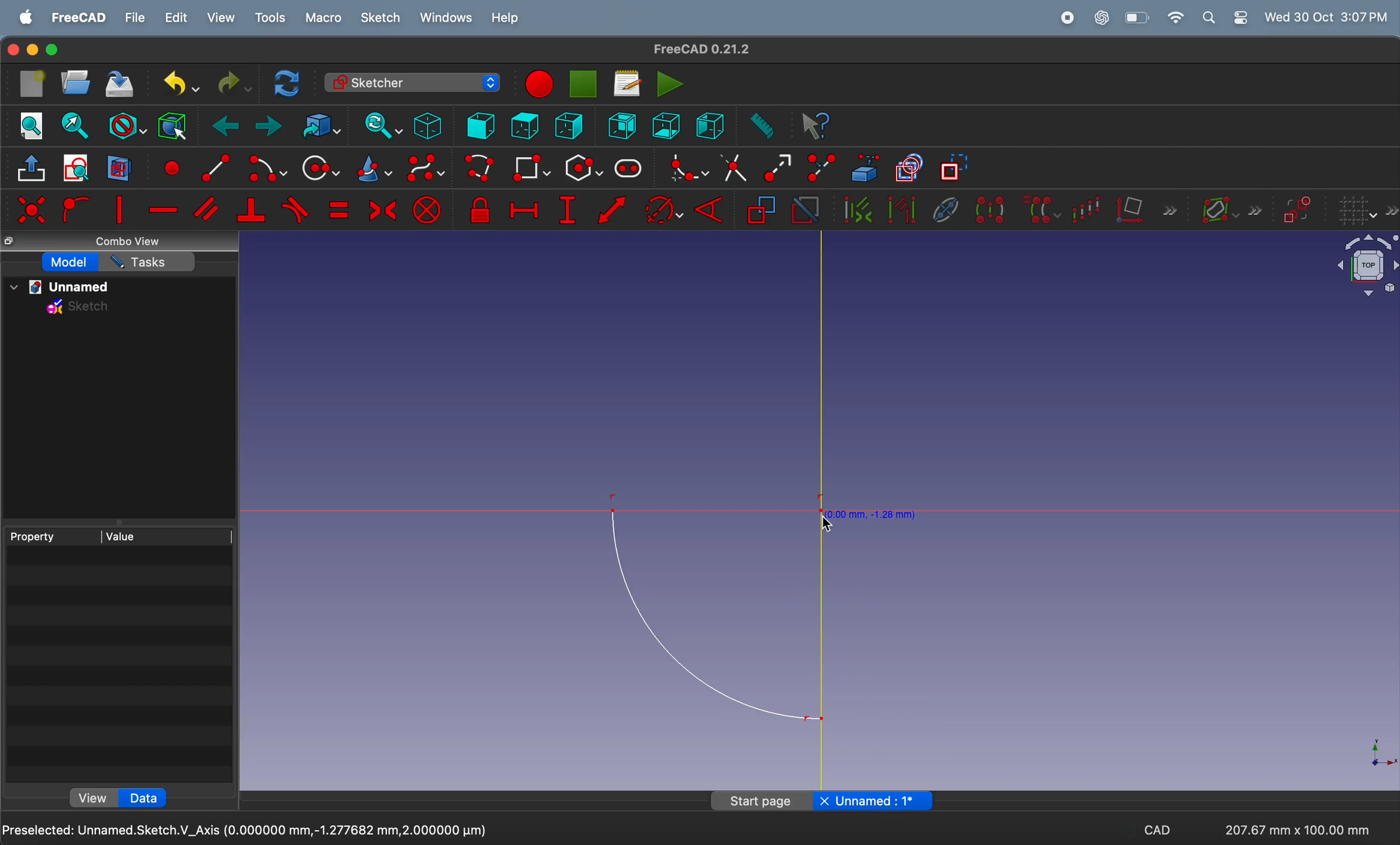 This screenshot has height=845, width=1400. Describe the element at coordinates (572, 127) in the screenshot. I see `left view` at that location.